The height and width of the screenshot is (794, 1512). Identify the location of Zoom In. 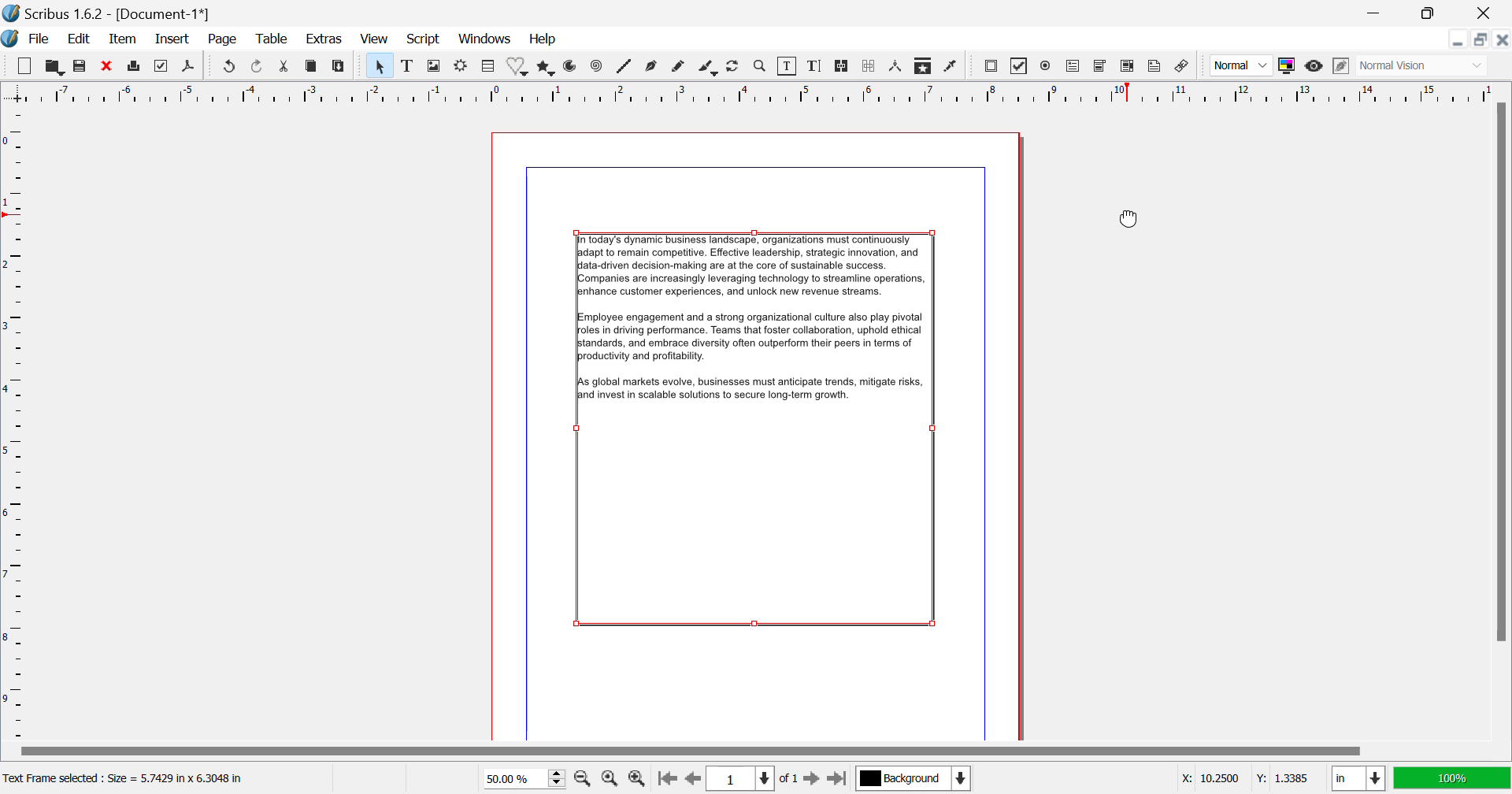
(638, 779).